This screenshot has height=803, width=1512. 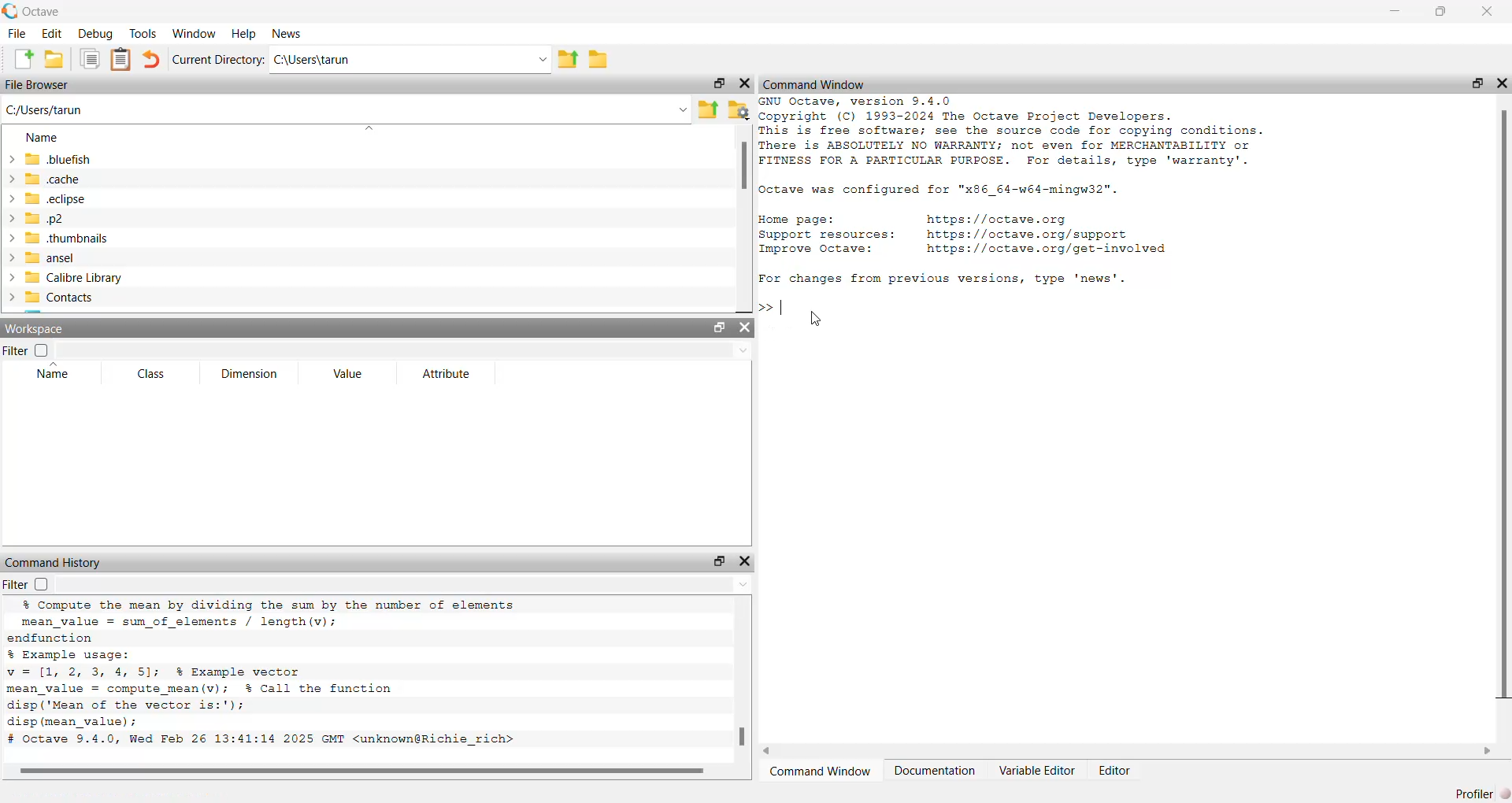 What do you see at coordinates (783, 309) in the screenshot?
I see `typing indicator ` at bounding box center [783, 309].